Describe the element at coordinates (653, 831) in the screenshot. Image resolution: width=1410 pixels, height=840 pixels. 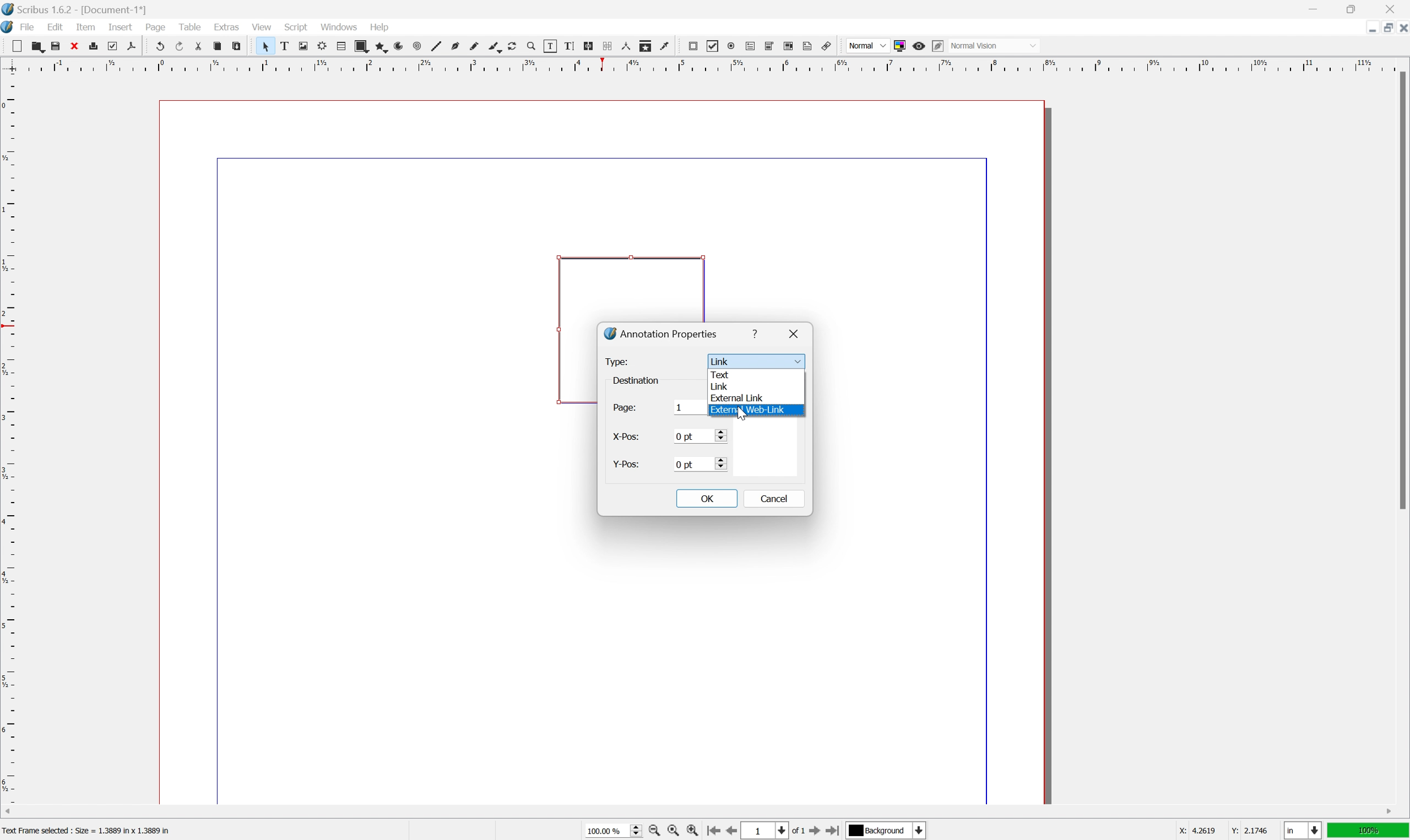
I see `zoom out` at that location.